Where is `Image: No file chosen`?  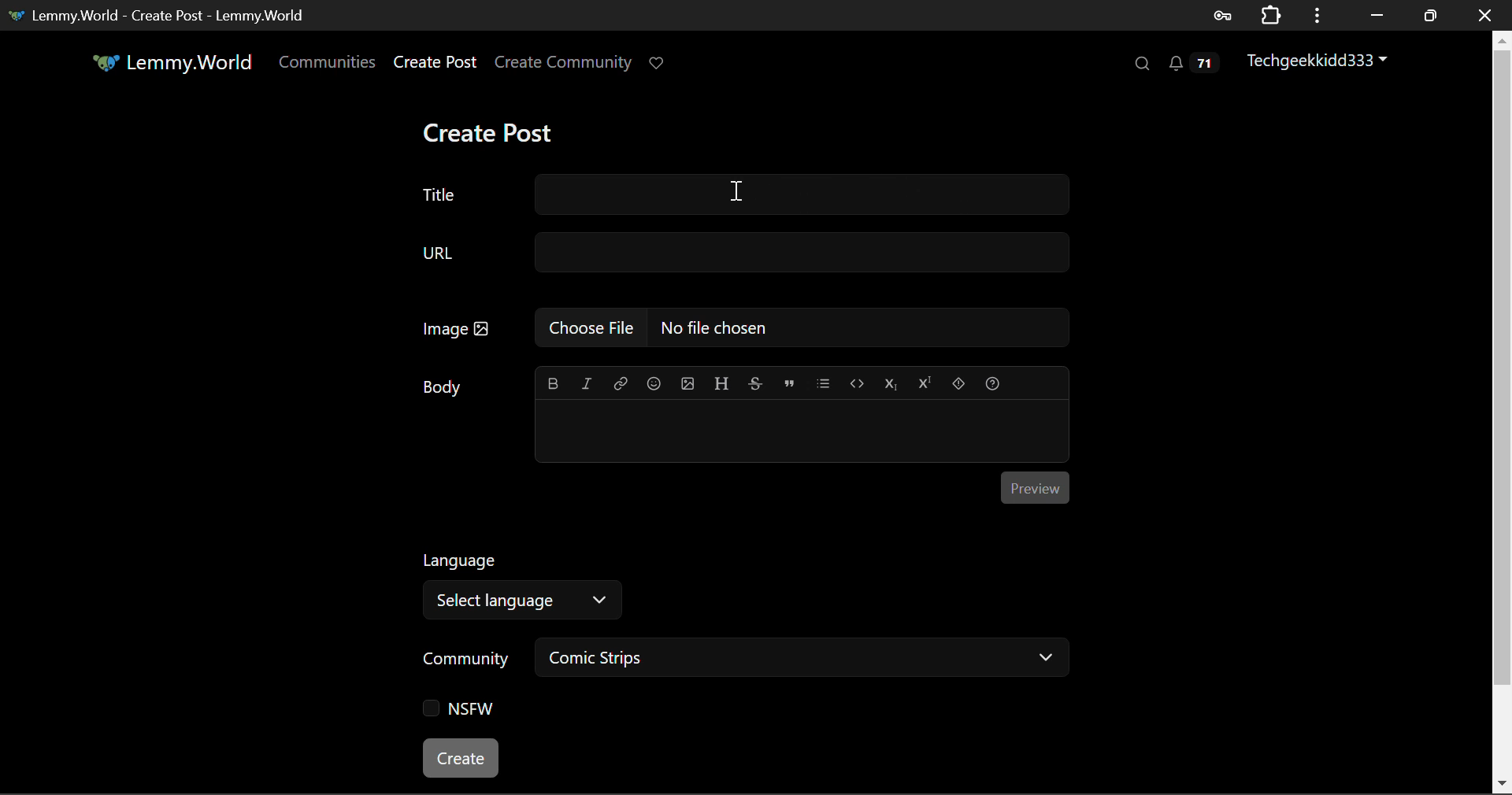
Image: No file chosen is located at coordinates (743, 325).